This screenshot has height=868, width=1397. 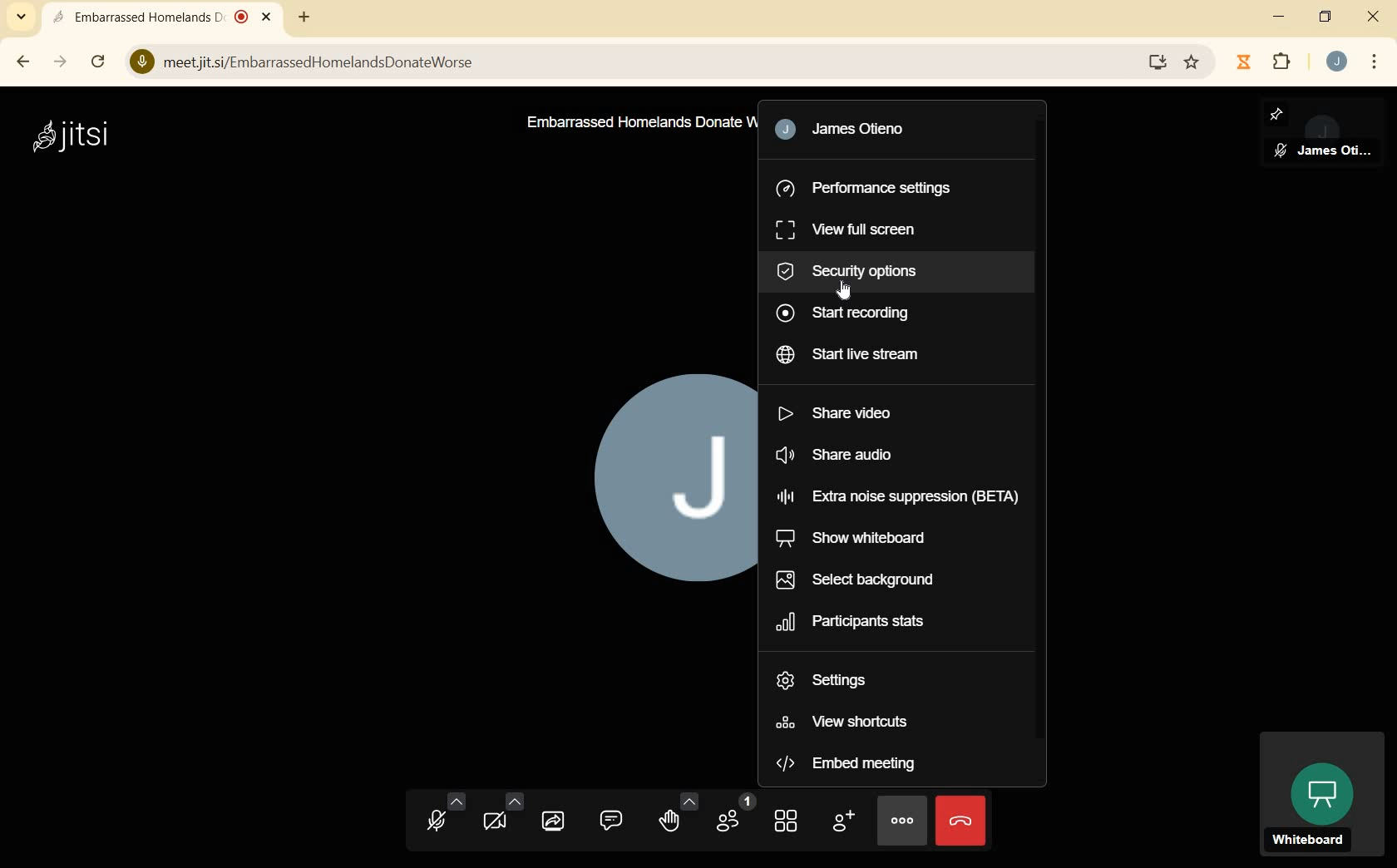 I want to click on VIEW FULL SCREEN, so click(x=853, y=228).